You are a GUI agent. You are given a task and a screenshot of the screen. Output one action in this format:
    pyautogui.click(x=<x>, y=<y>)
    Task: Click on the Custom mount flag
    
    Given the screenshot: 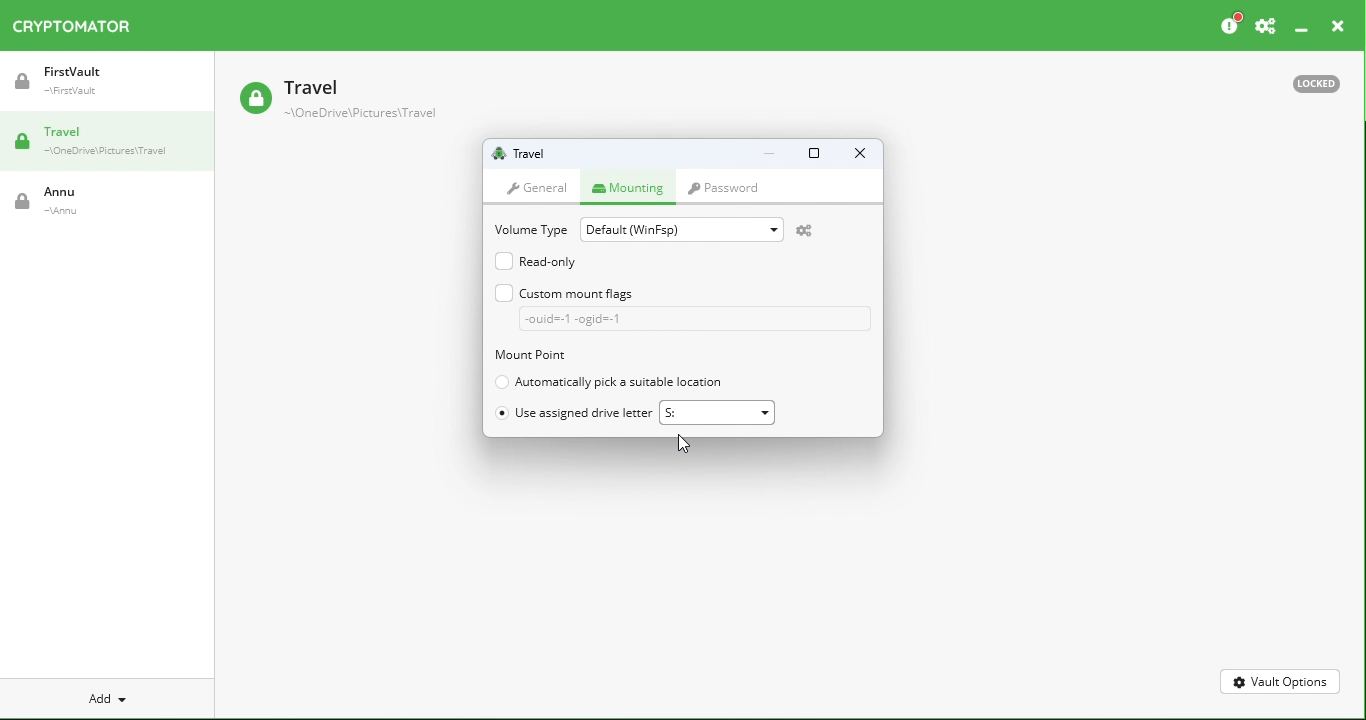 What is the action you would take?
    pyautogui.click(x=678, y=306)
    